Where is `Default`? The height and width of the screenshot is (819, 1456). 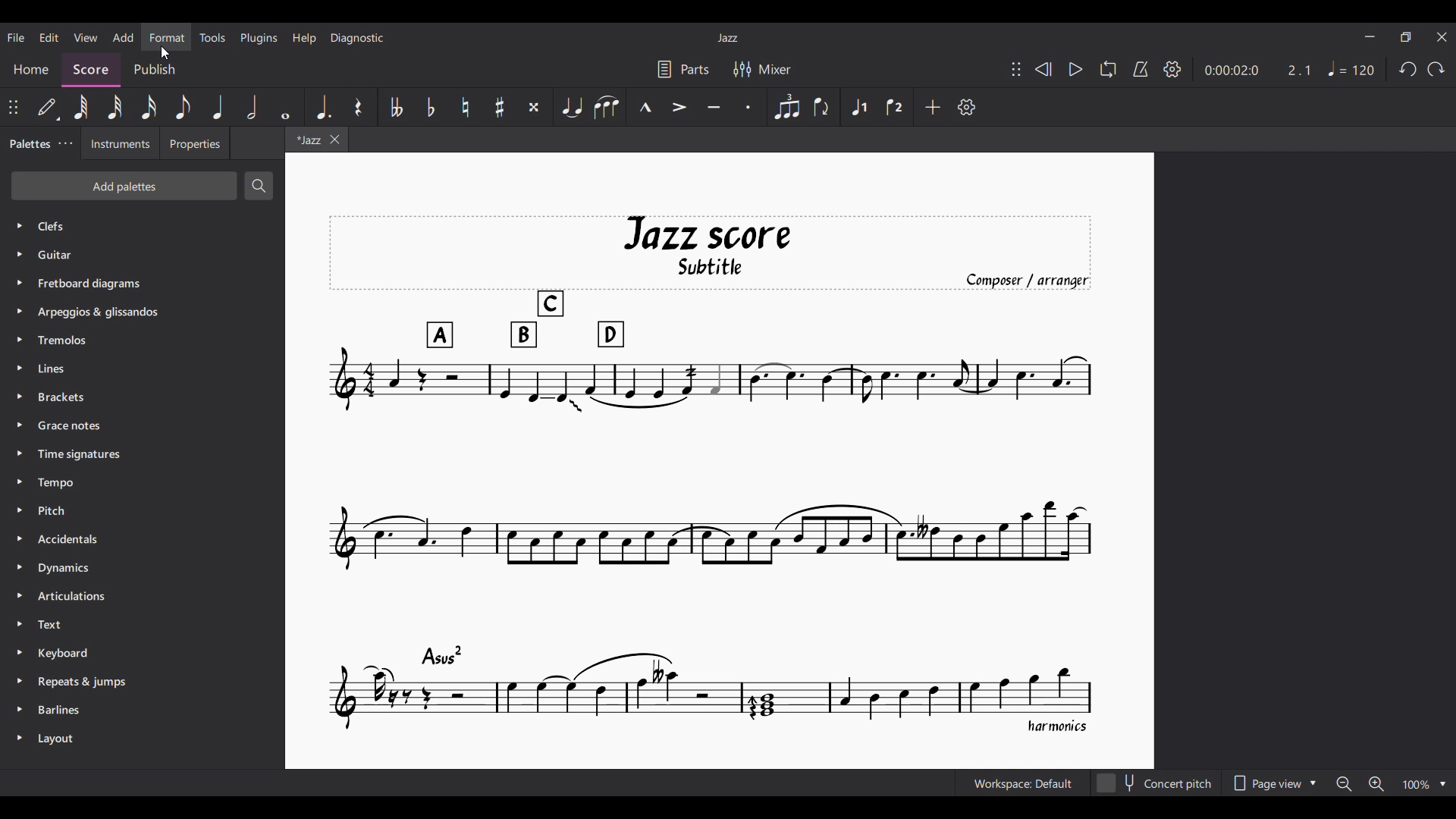
Default is located at coordinates (49, 105).